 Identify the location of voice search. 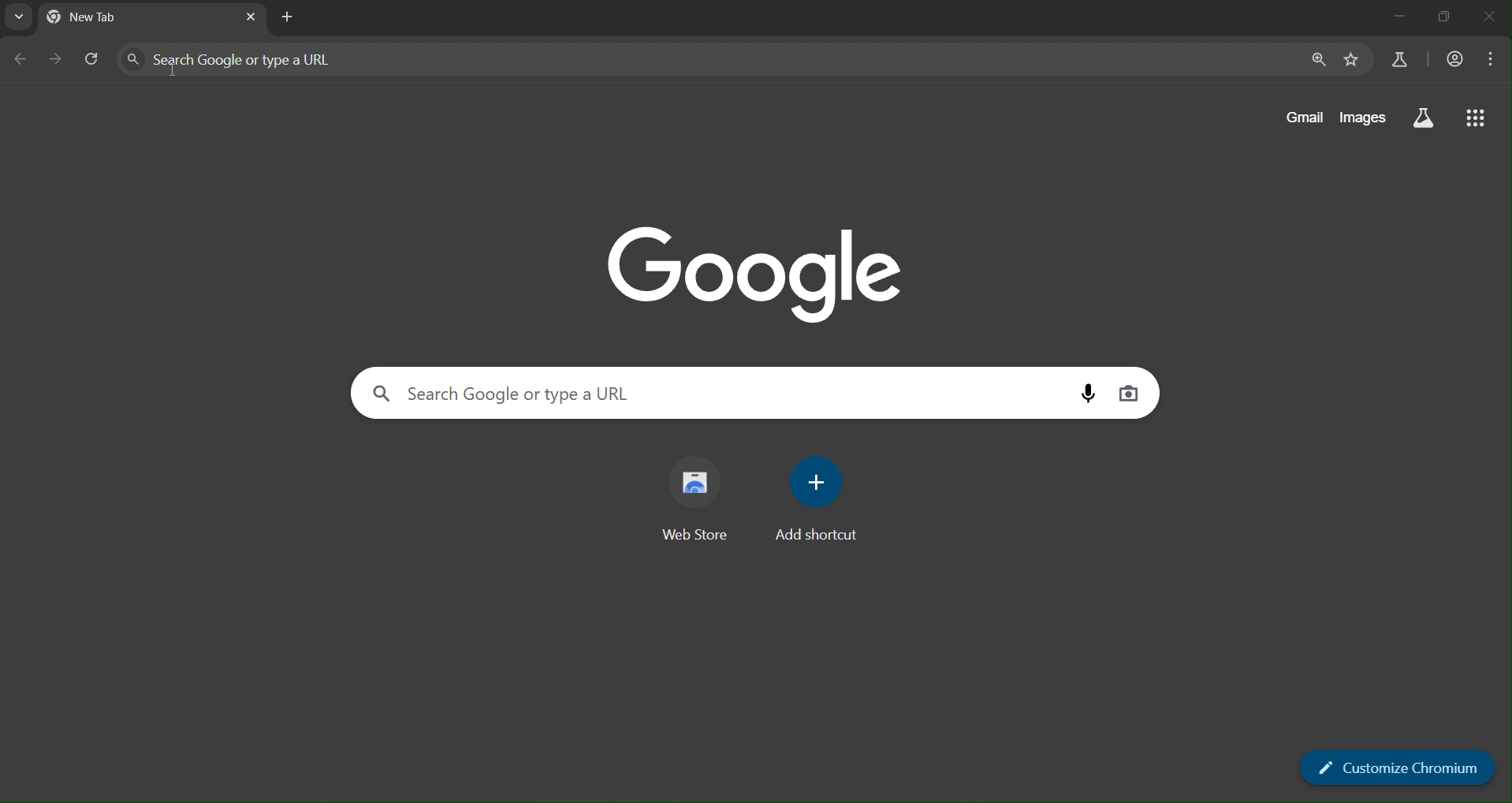
(1093, 393).